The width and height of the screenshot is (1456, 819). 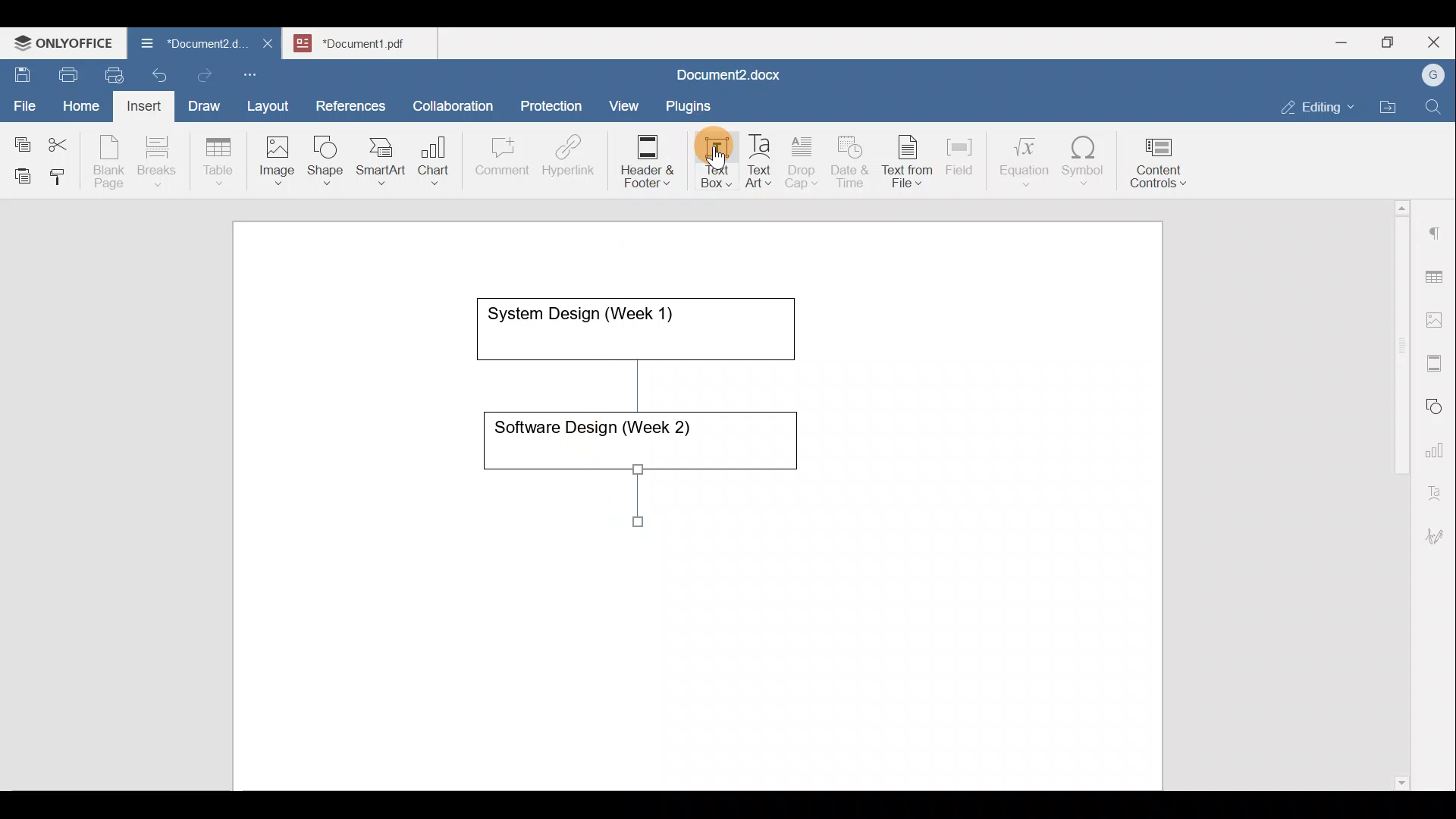 I want to click on Scroll bar, so click(x=1396, y=492).